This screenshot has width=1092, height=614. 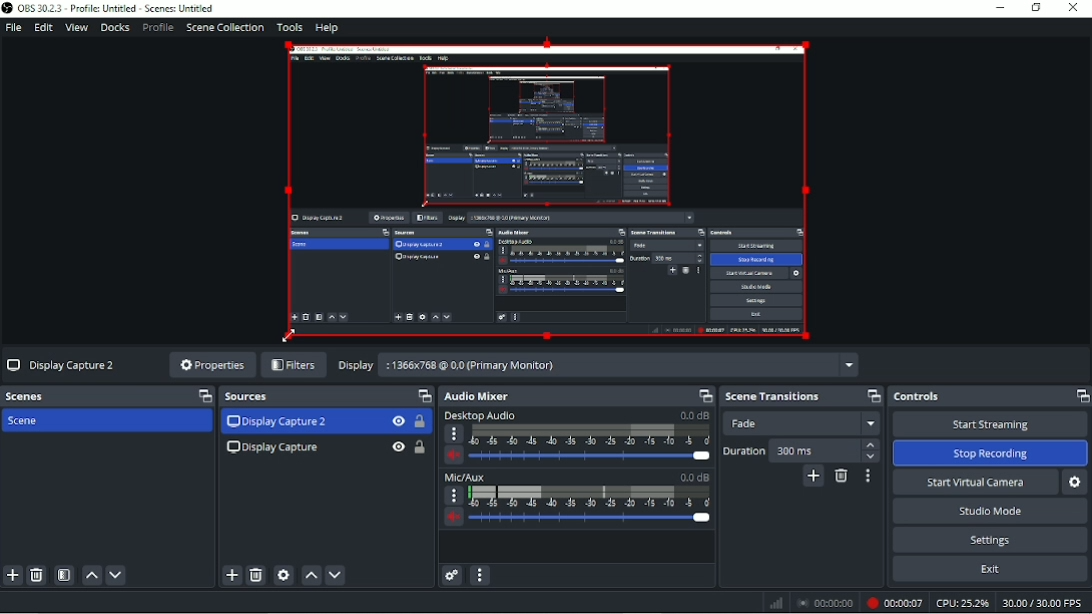 What do you see at coordinates (230, 575) in the screenshot?
I see `Add source` at bounding box center [230, 575].